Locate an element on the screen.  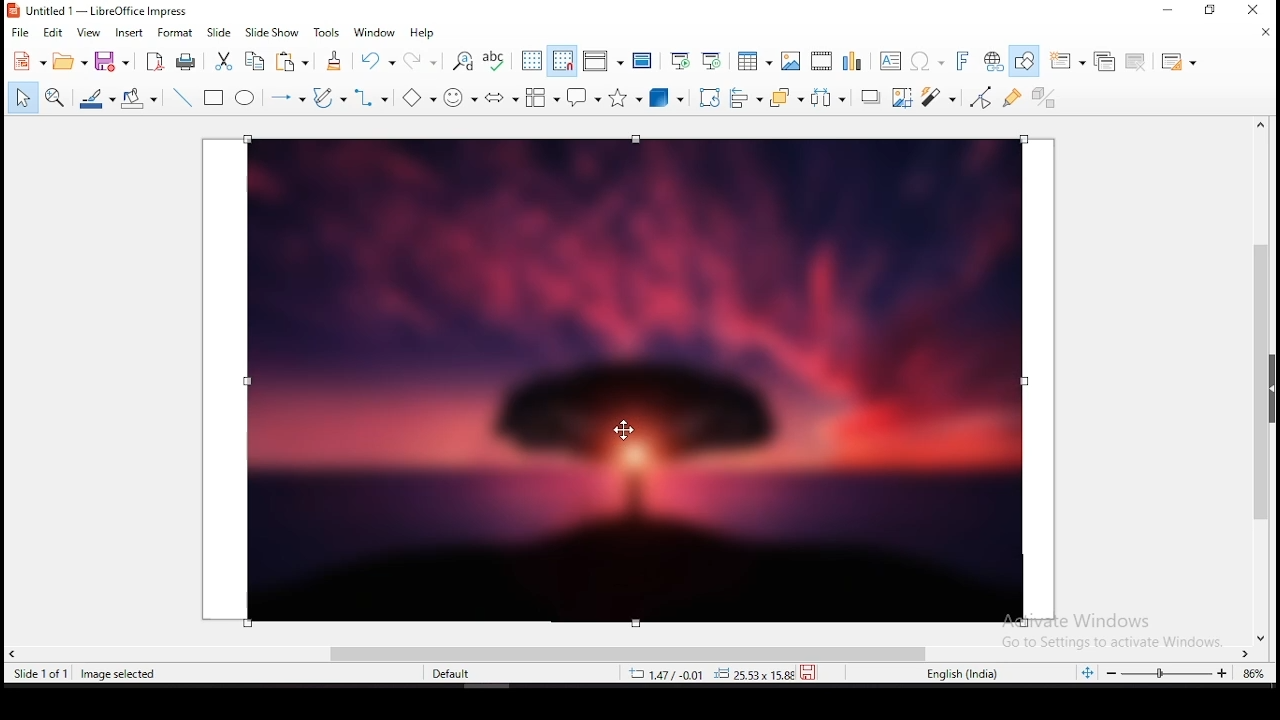
symbol shapes is located at coordinates (463, 96).